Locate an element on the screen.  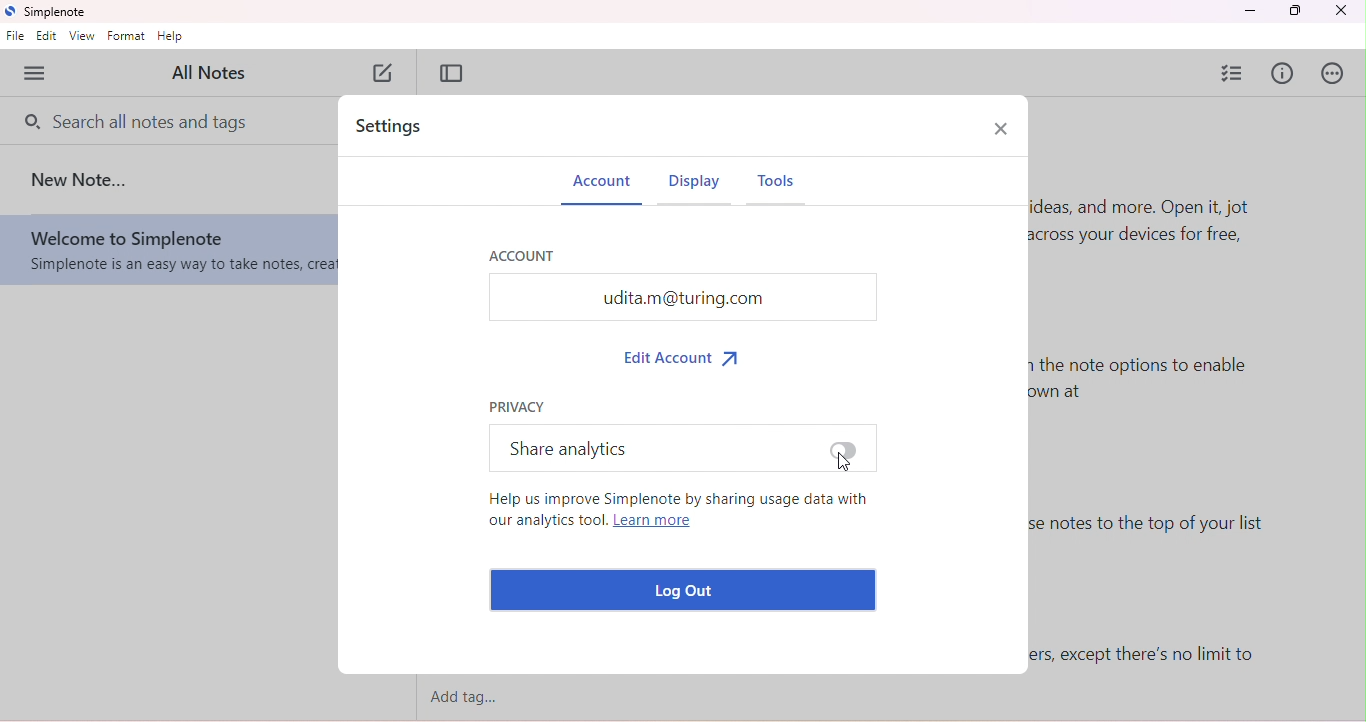
tools is located at coordinates (785, 188).